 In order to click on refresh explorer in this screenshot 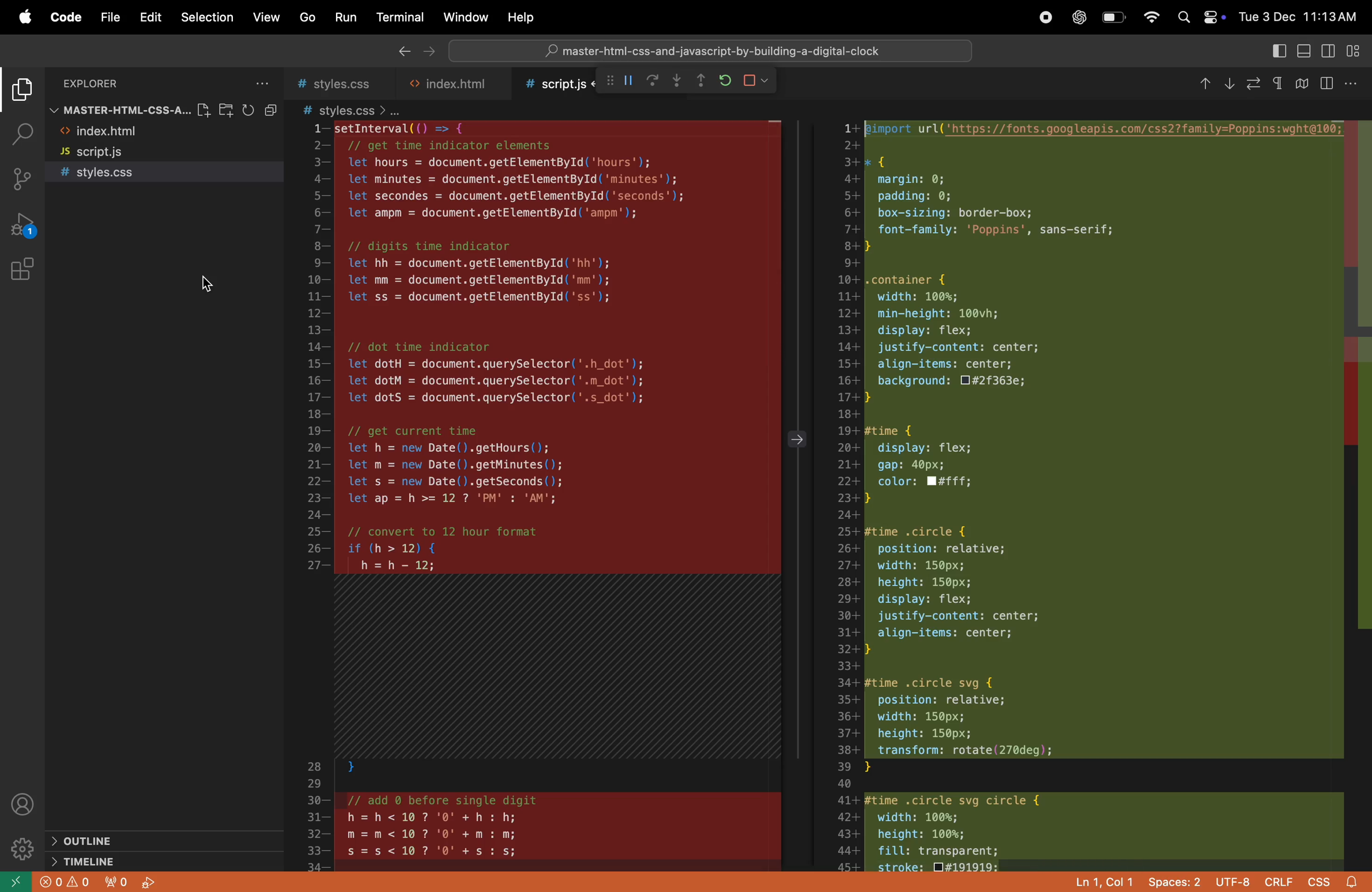, I will do `click(248, 110)`.